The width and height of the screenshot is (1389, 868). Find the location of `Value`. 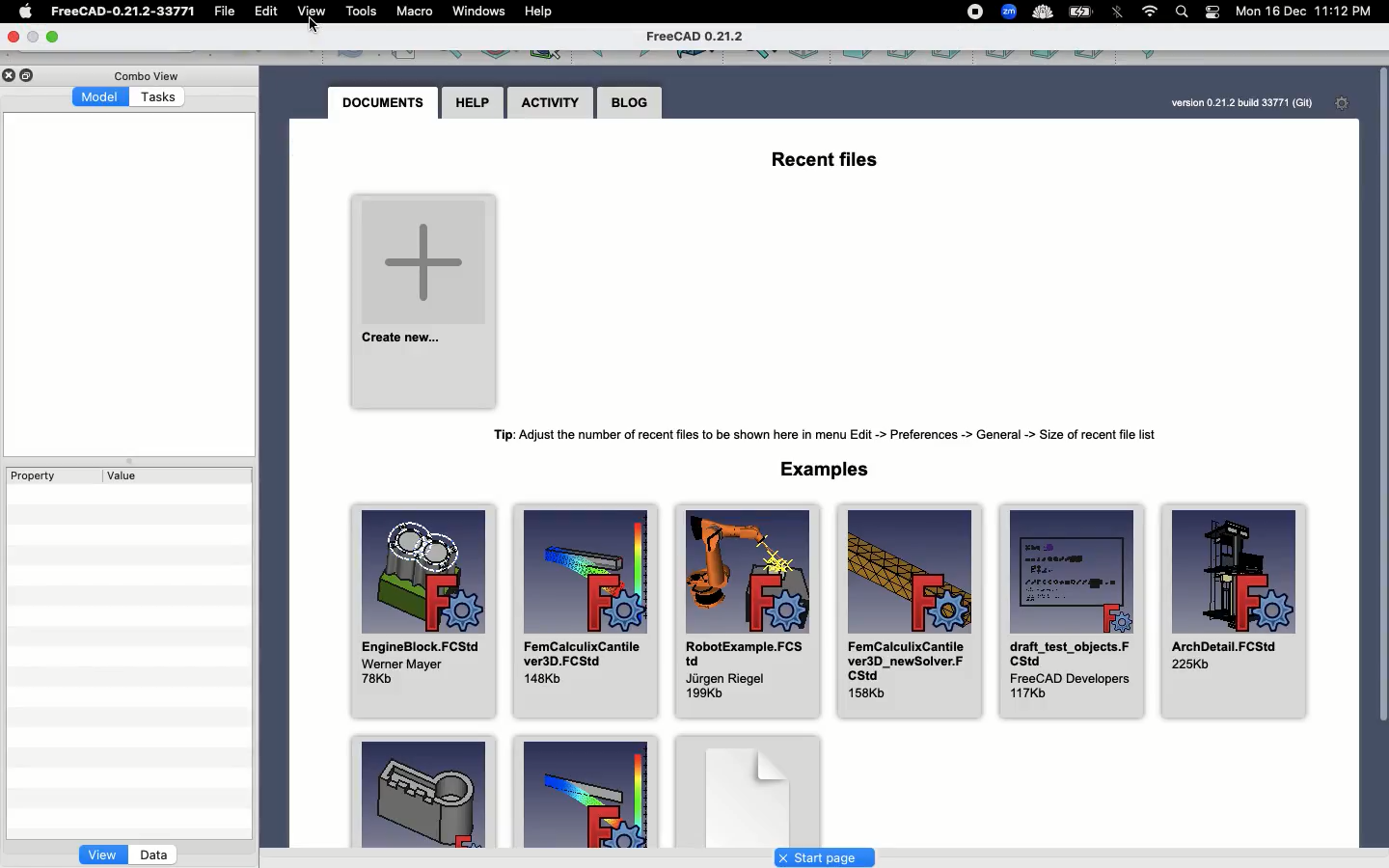

Value is located at coordinates (123, 476).